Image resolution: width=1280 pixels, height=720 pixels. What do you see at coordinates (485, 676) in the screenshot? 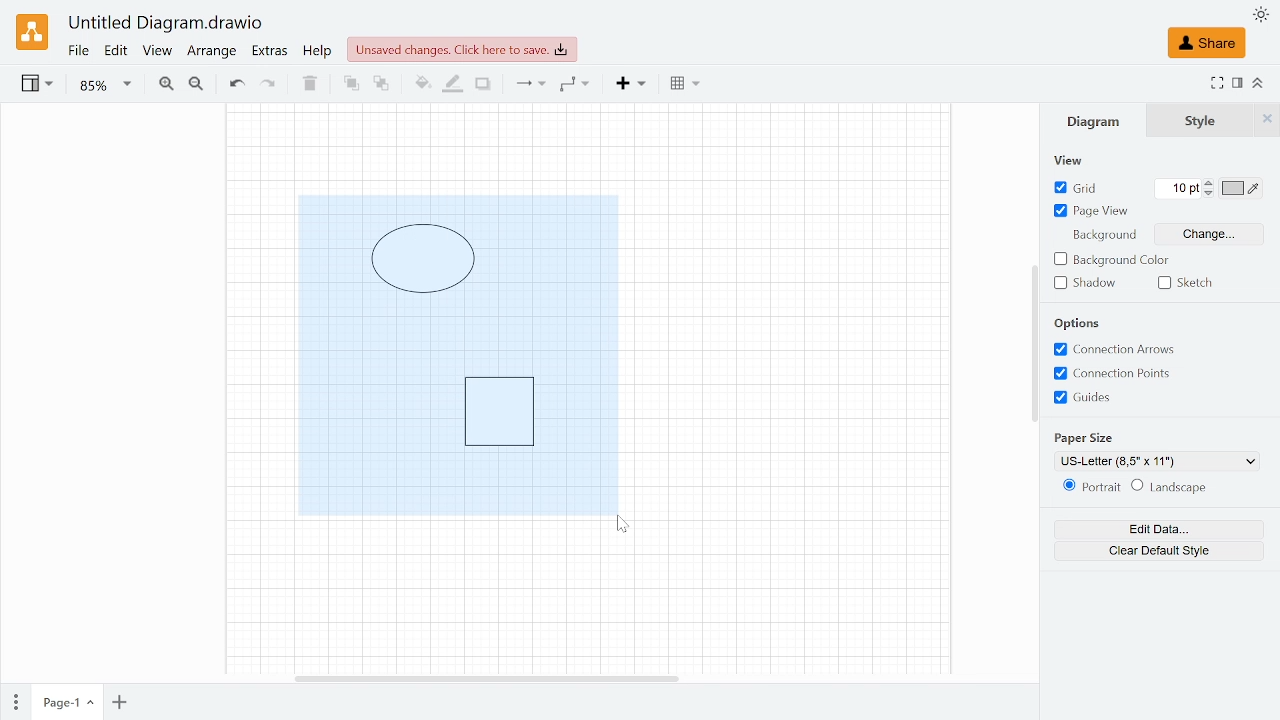
I see `Horizontal scrollbar` at bounding box center [485, 676].